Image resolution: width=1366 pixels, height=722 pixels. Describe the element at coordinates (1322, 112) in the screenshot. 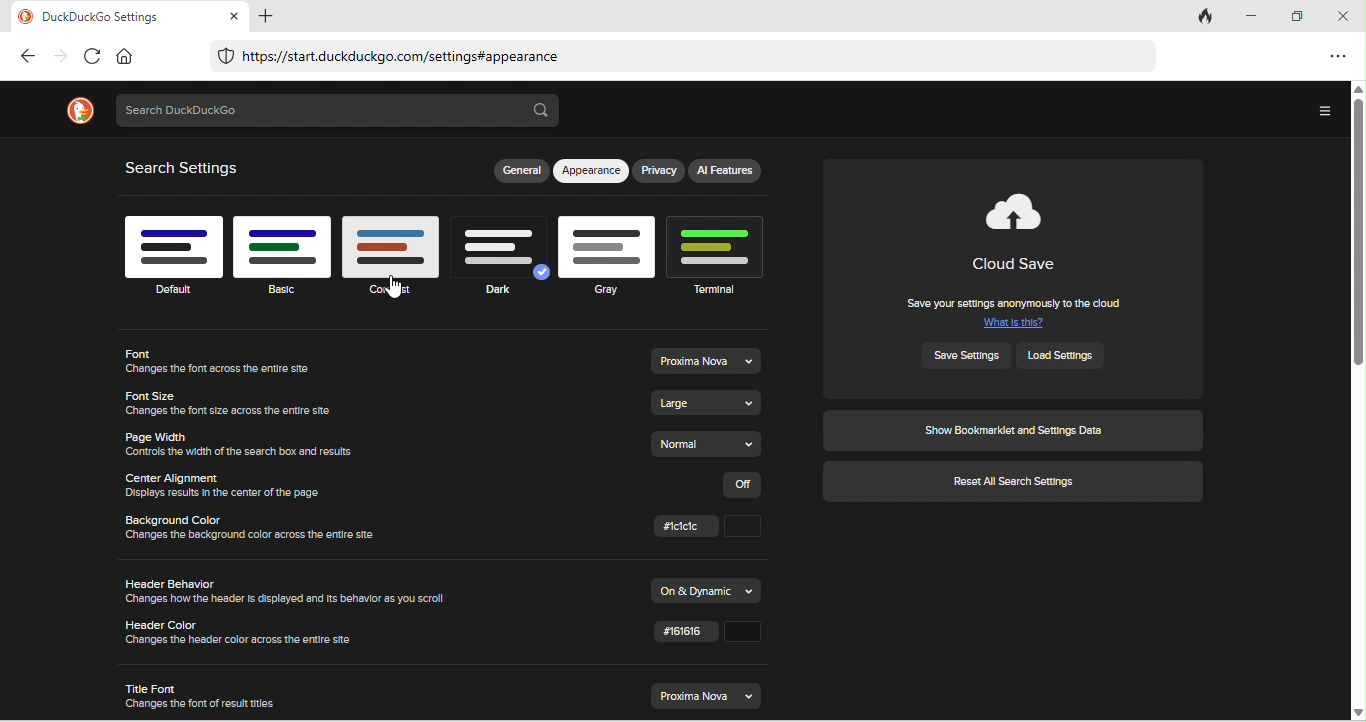

I see `more options` at that location.